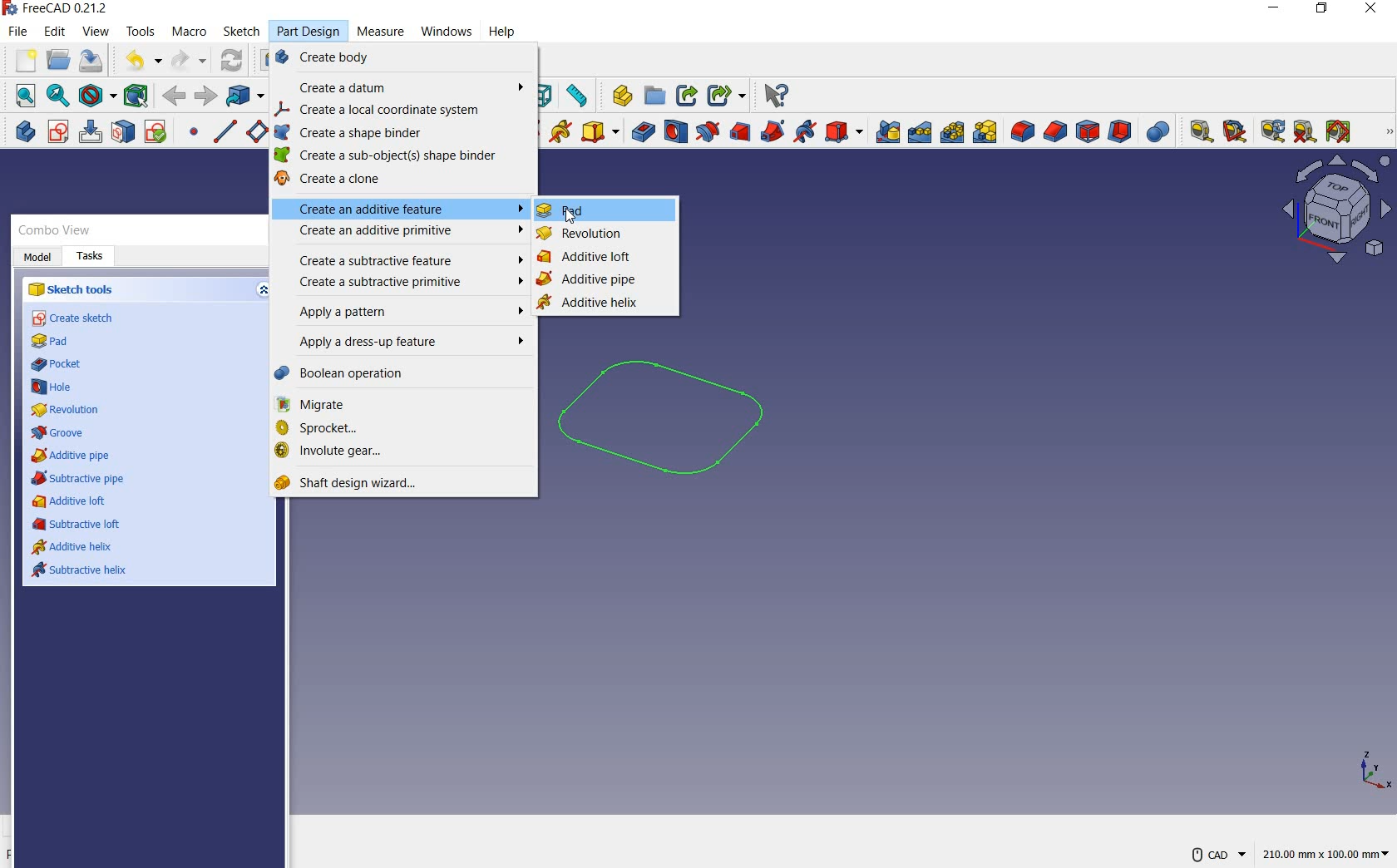 This screenshot has width=1397, height=868. Describe the element at coordinates (23, 96) in the screenshot. I see `fit all` at that location.